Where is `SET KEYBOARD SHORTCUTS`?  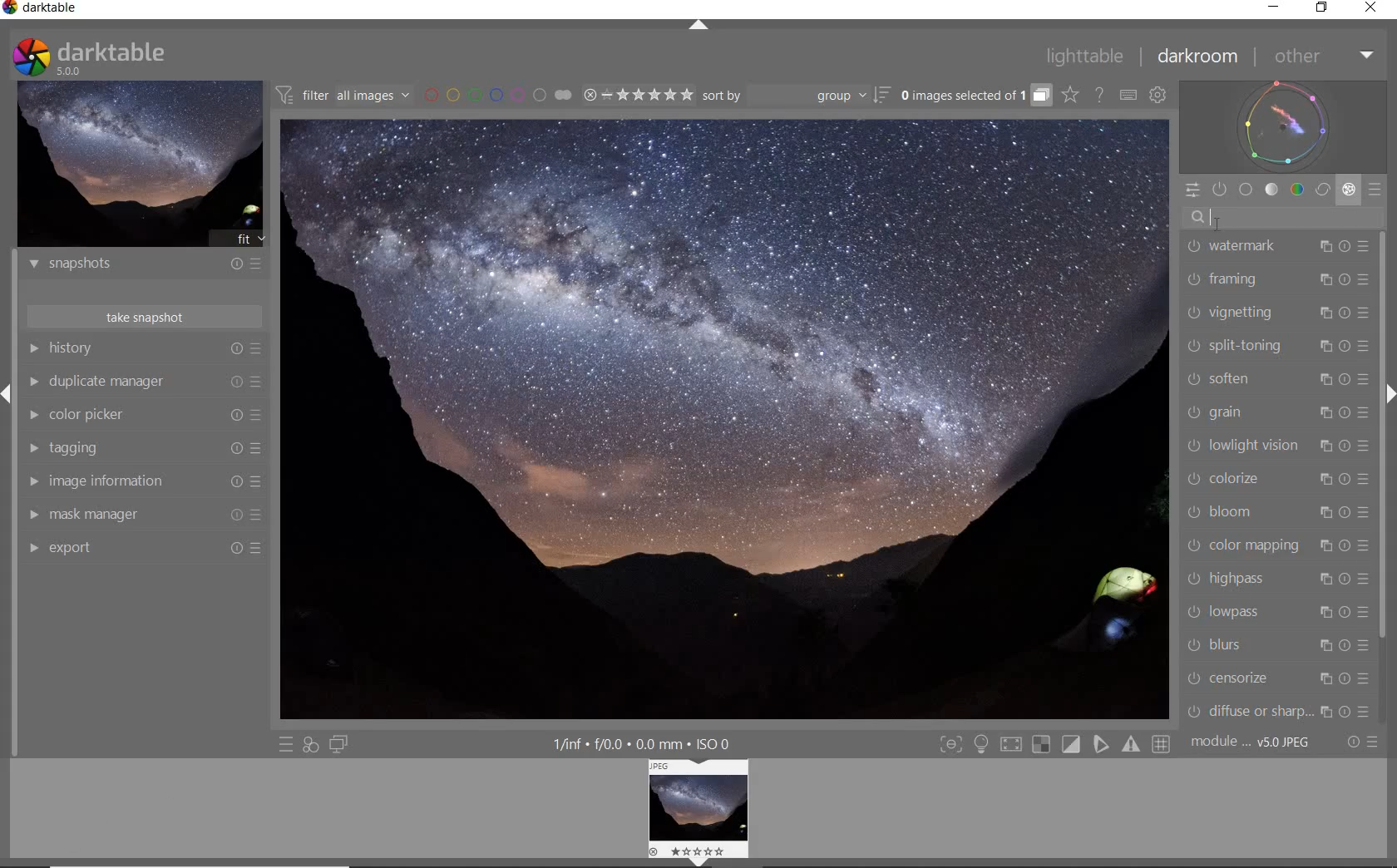 SET KEYBOARD SHORTCUTS is located at coordinates (1128, 96).